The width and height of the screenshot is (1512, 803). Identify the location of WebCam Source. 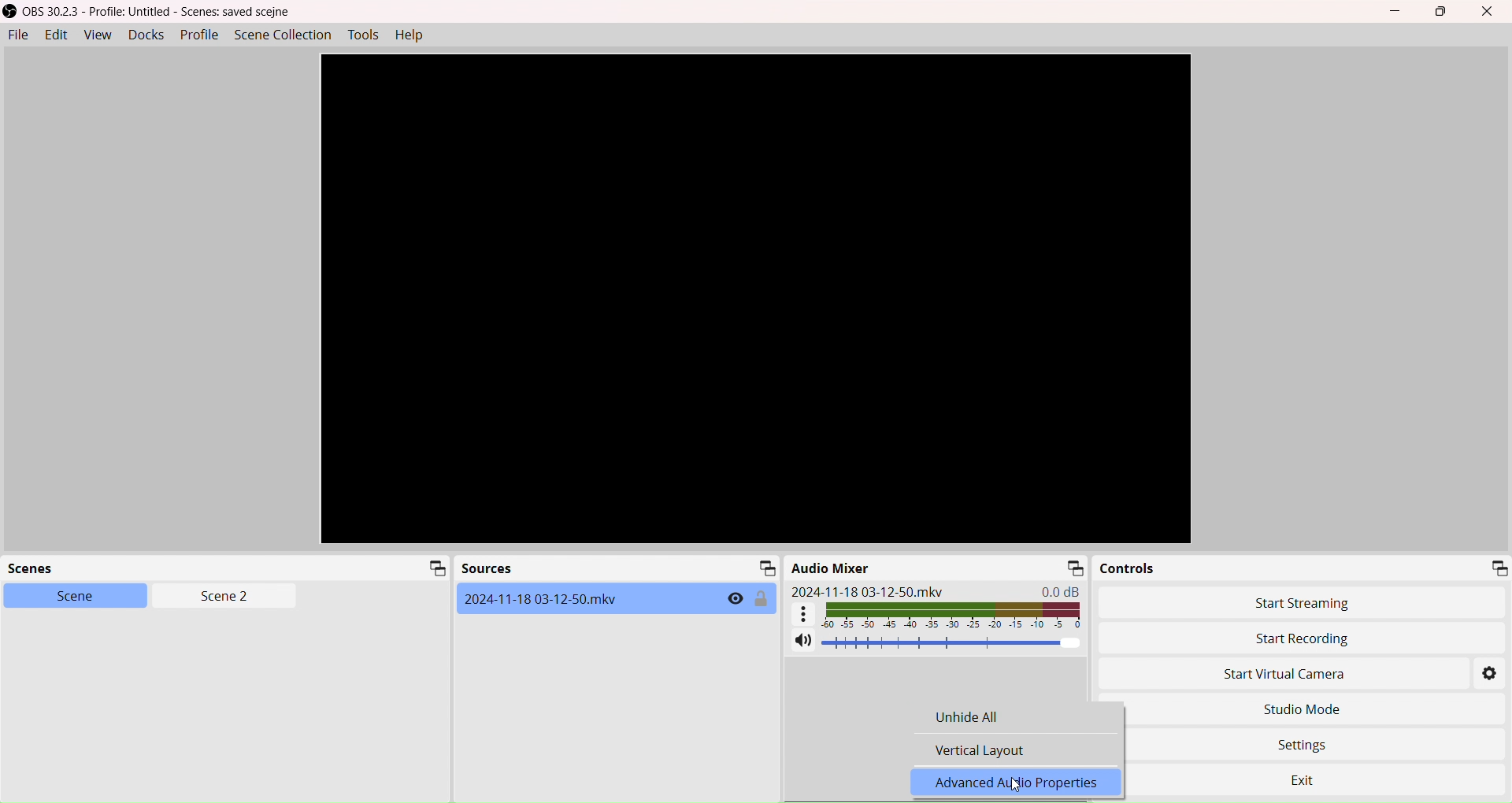
(544, 598).